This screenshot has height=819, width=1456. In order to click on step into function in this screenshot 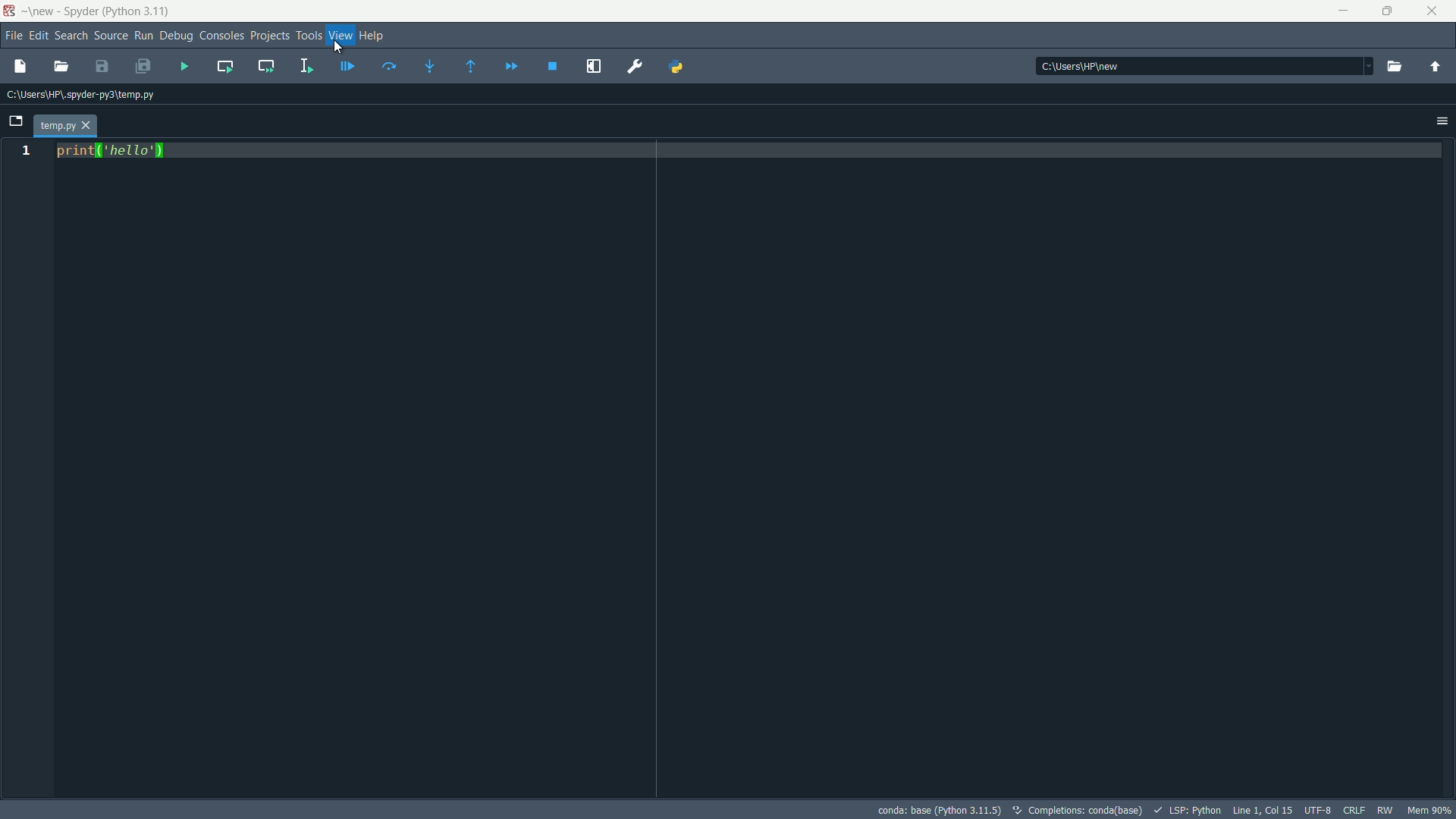, I will do `click(431, 64)`.